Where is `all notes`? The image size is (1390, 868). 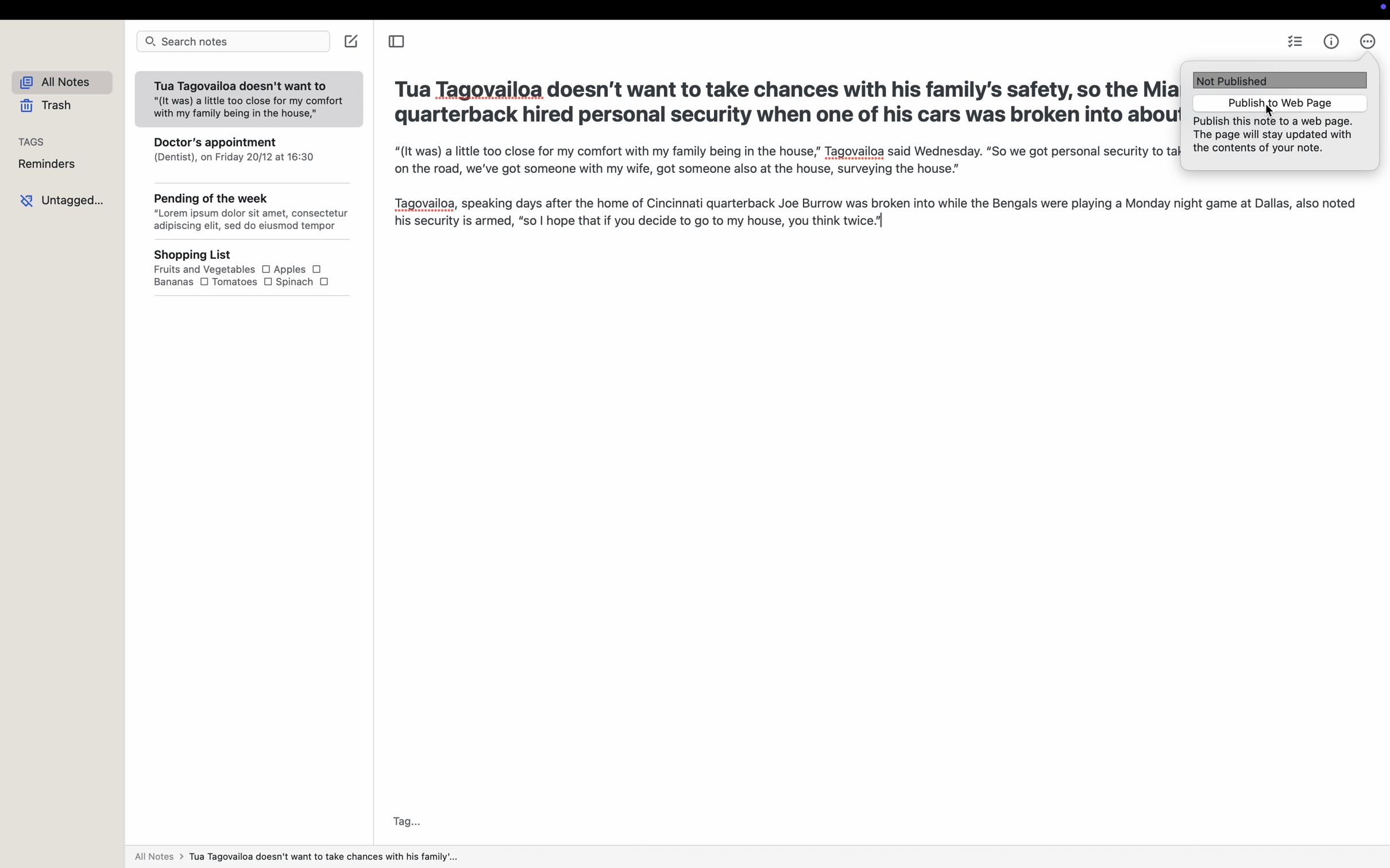 all notes is located at coordinates (67, 83).